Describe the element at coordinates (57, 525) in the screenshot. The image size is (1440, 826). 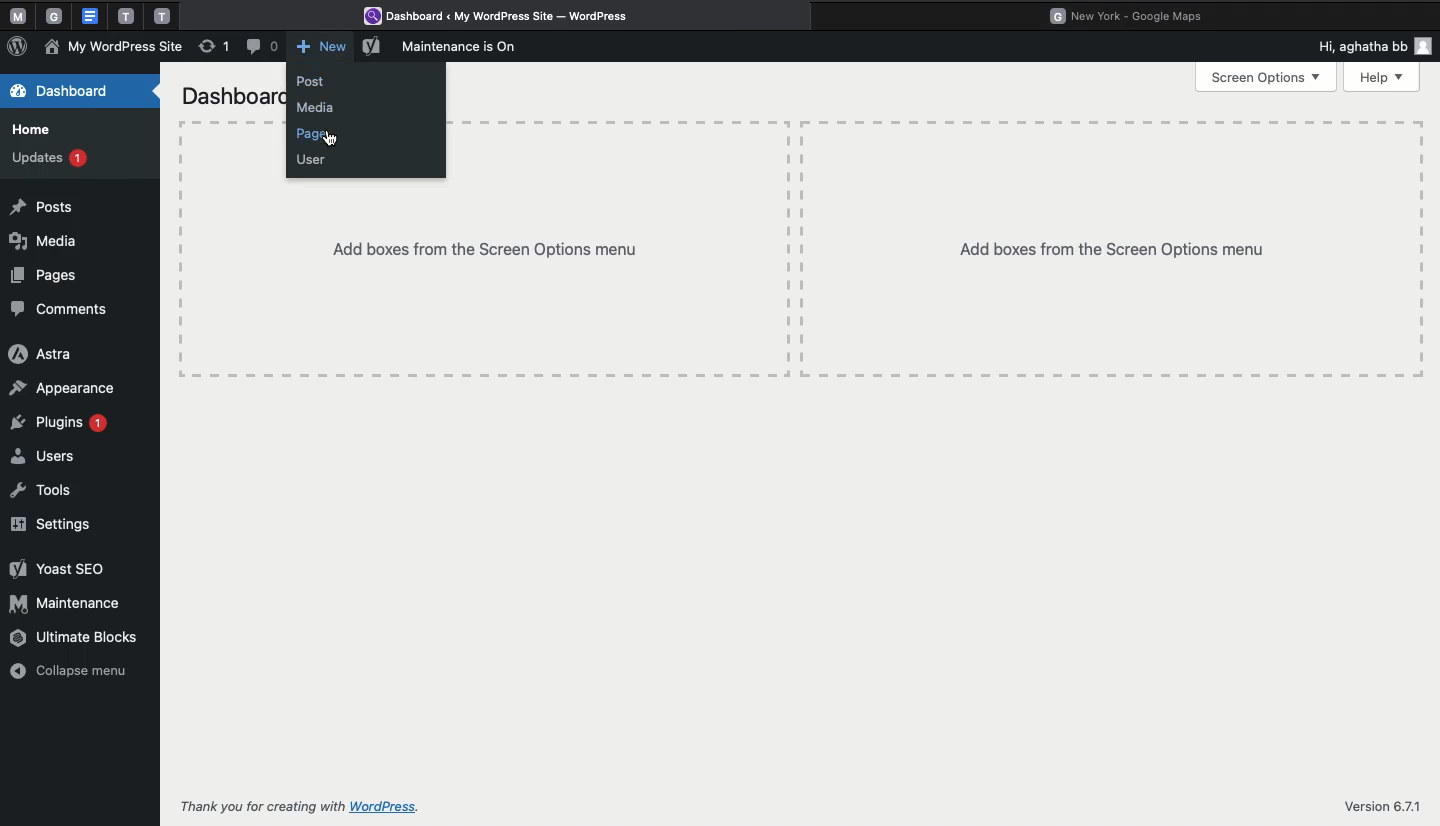
I see `Settings` at that location.